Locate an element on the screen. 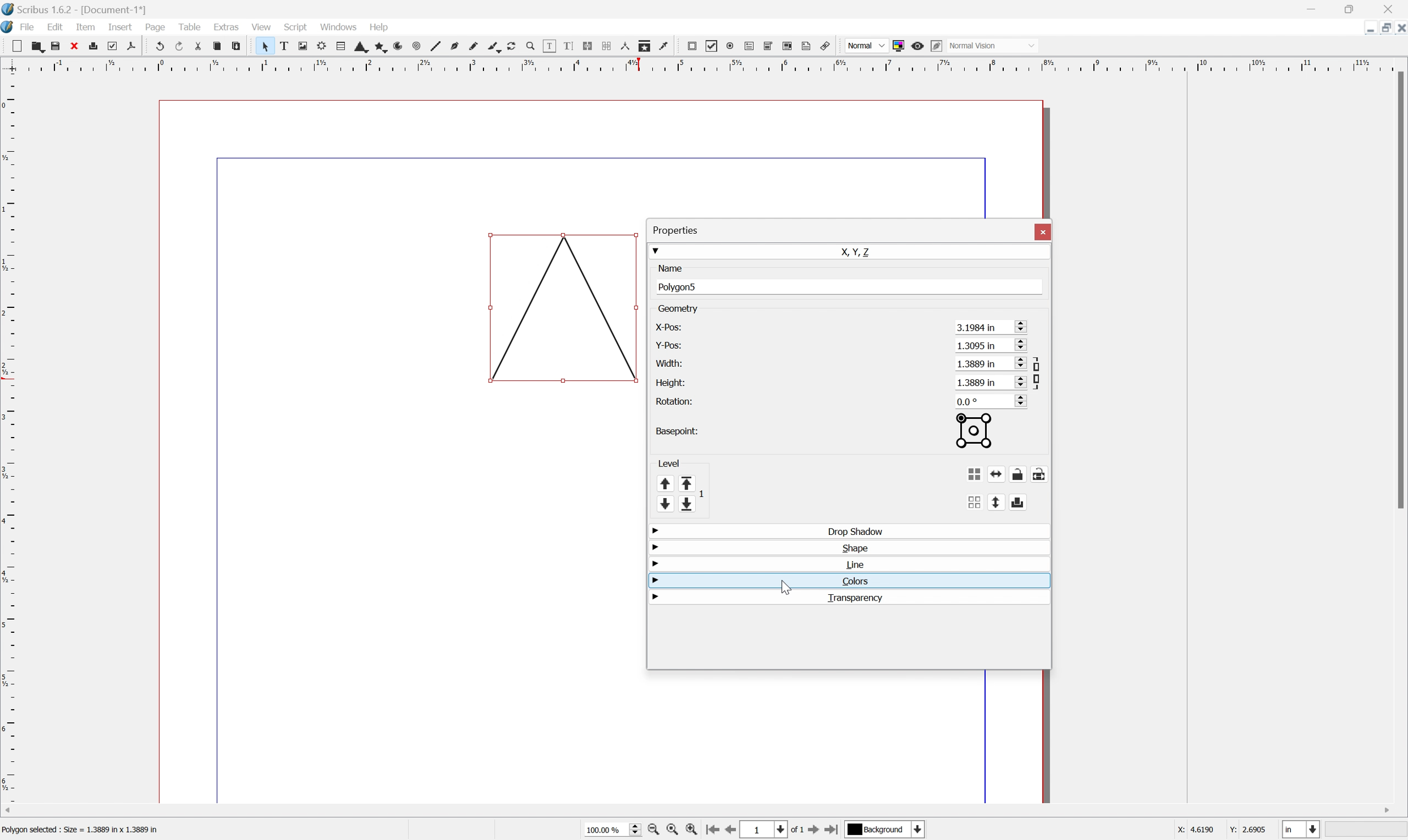 The width and height of the screenshot is (1408, 840). Lock or unlock the size of the object is located at coordinates (1040, 474).